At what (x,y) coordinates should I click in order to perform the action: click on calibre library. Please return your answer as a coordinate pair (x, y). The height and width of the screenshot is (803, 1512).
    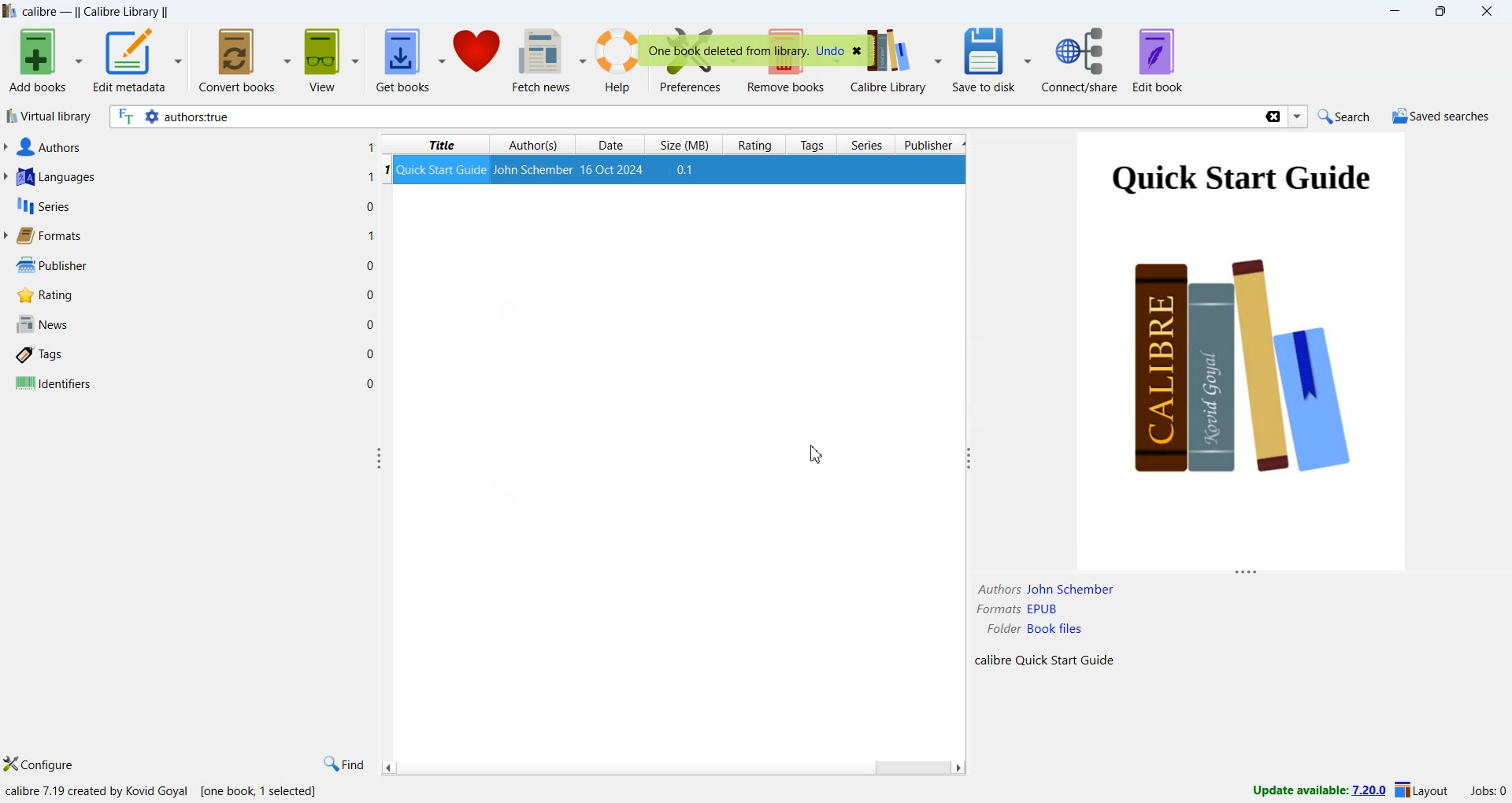
    Looking at the image, I should click on (125, 13).